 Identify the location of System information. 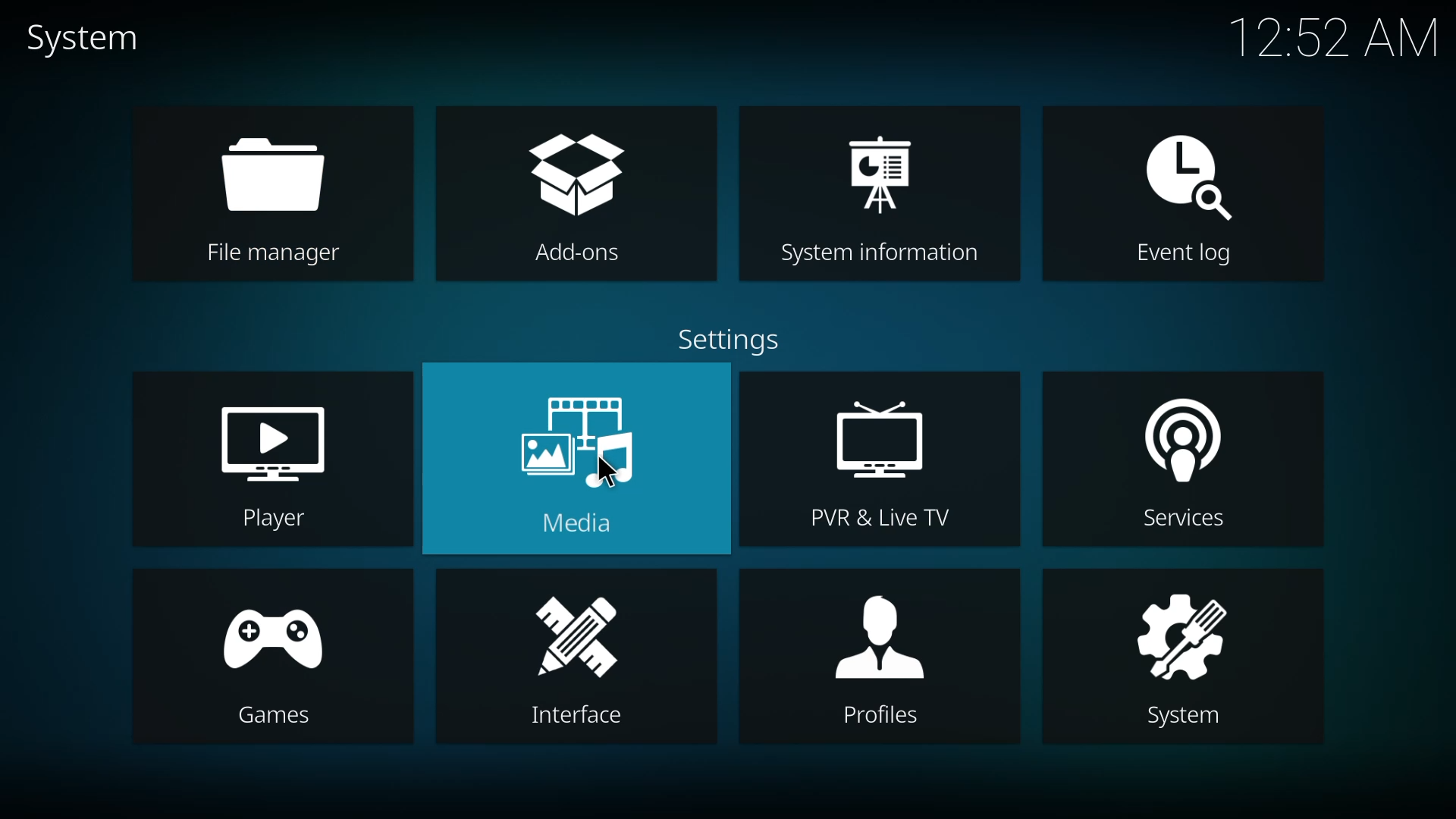
(880, 253).